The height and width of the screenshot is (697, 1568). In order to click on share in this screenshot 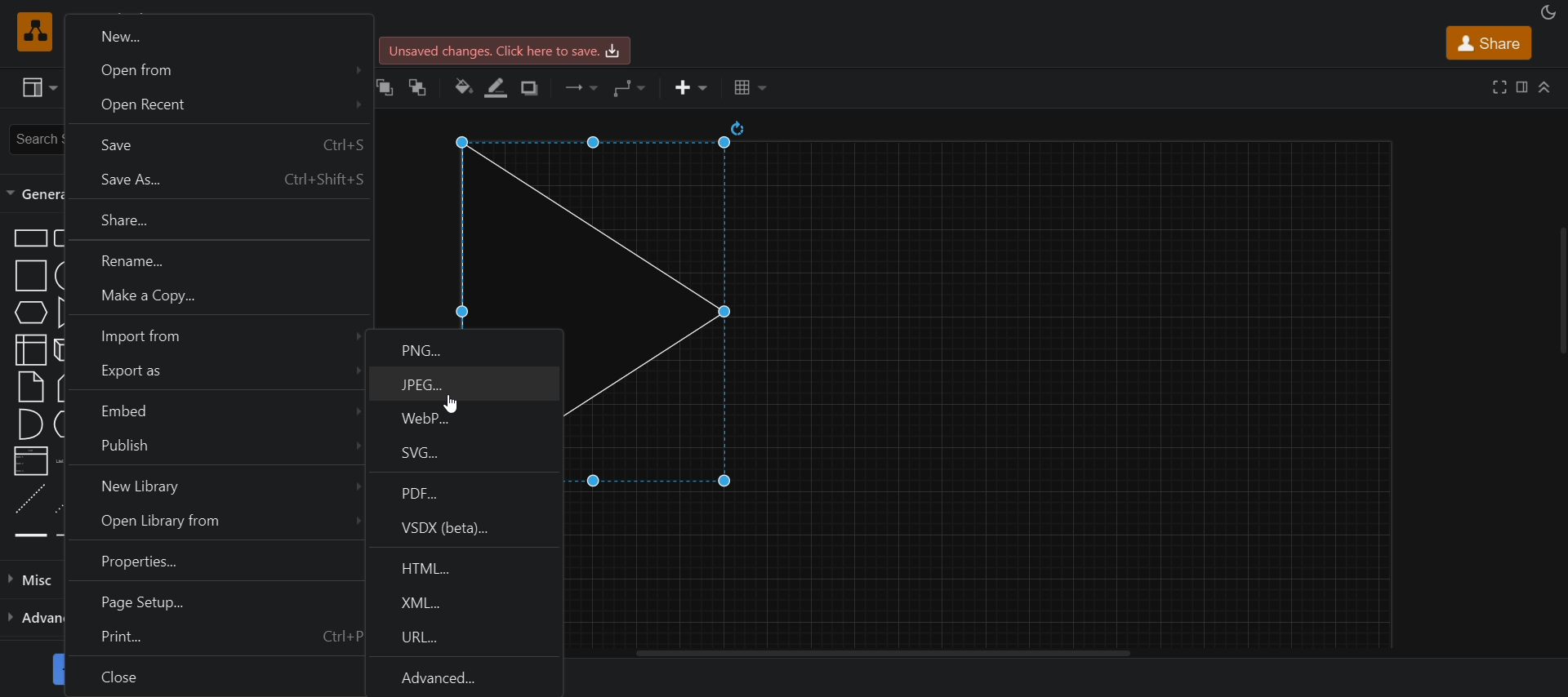, I will do `click(1487, 42)`.